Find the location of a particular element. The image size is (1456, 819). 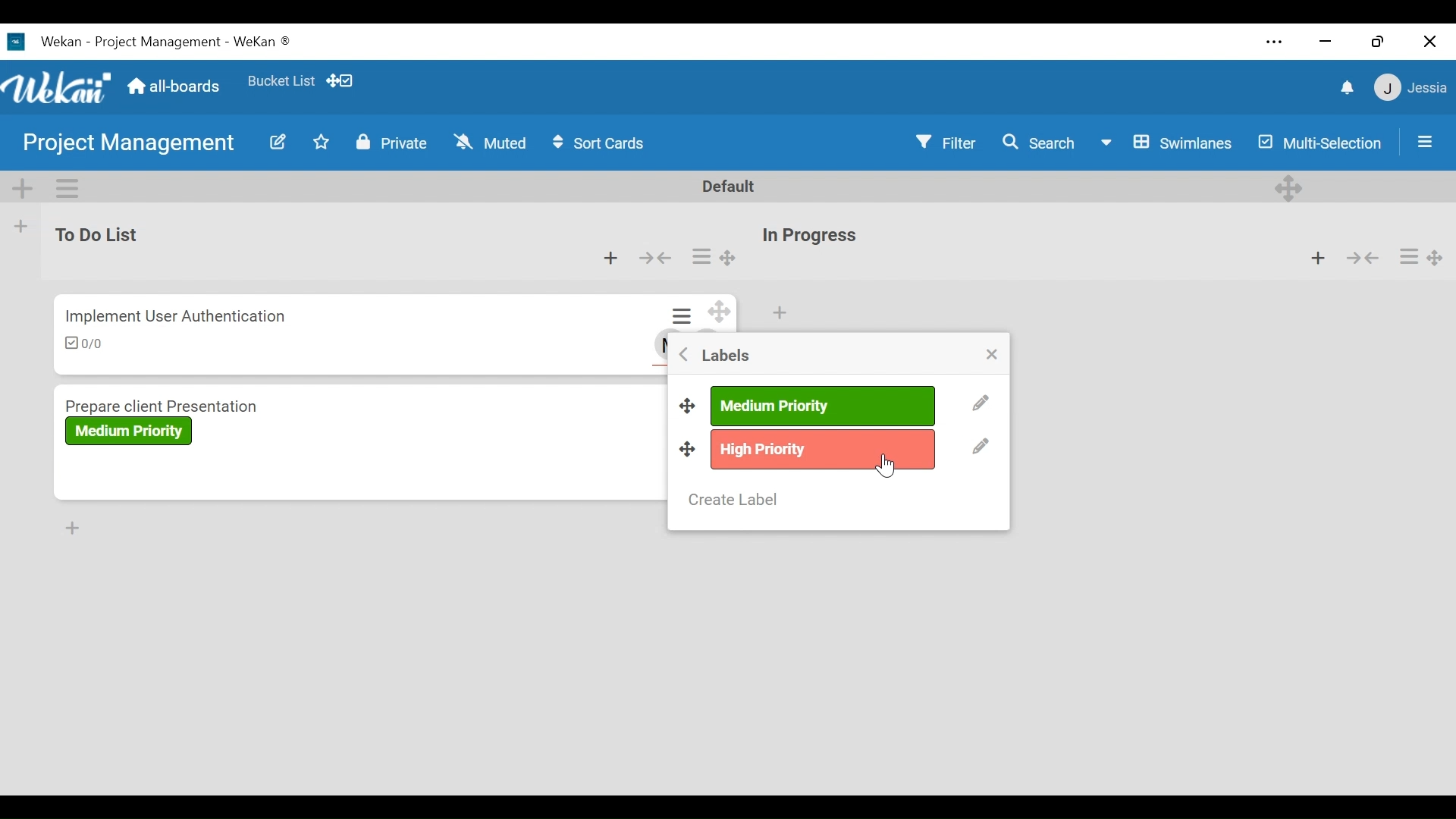

Text is located at coordinates (167, 42).